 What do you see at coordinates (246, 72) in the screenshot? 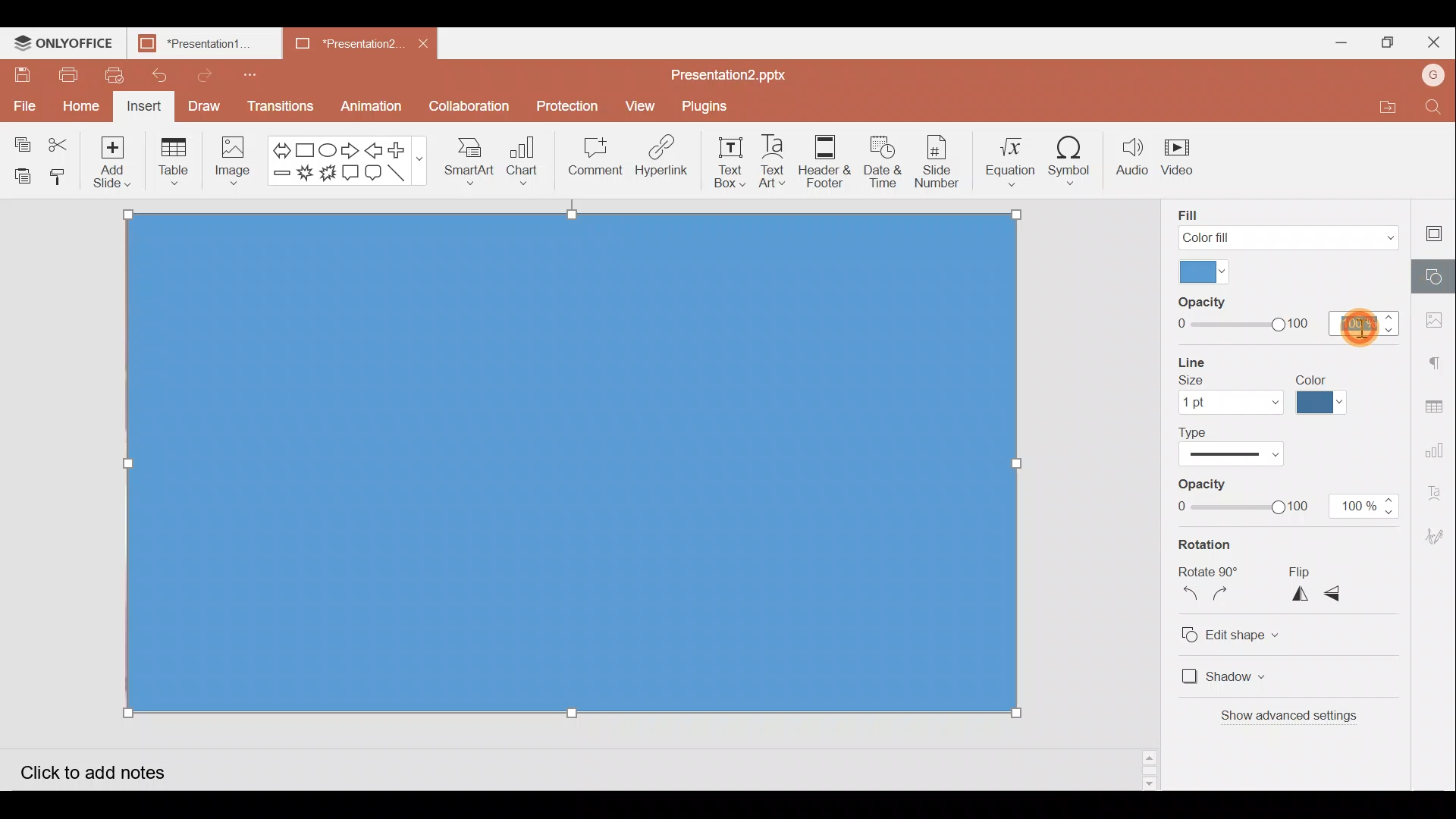
I see `Customize quick access toolbar` at bounding box center [246, 72].